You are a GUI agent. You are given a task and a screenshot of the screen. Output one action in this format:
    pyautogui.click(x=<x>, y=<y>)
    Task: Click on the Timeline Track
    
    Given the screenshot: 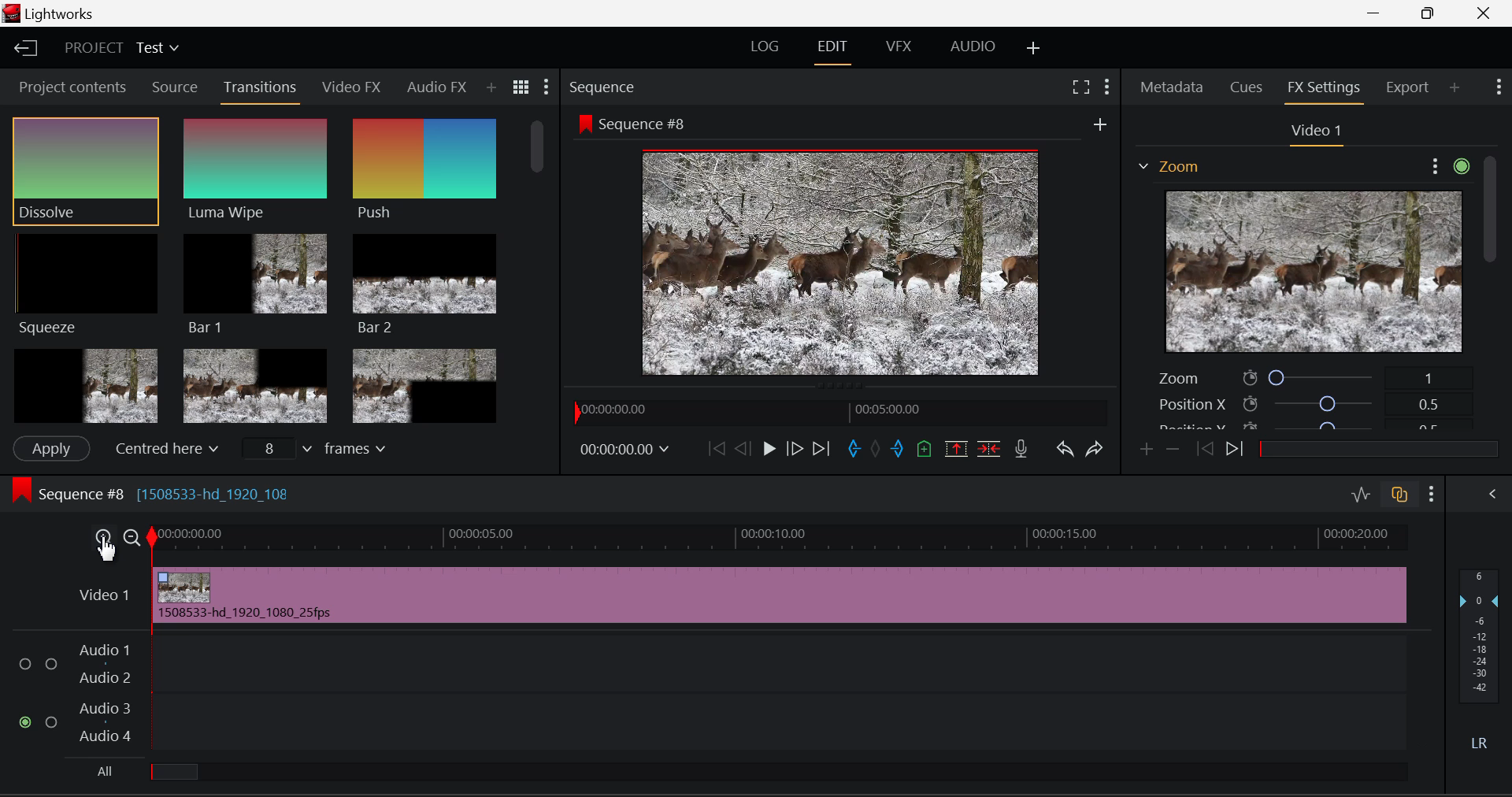 What is the action you would take?
    pyautogui.click(x=778, y=539)
    